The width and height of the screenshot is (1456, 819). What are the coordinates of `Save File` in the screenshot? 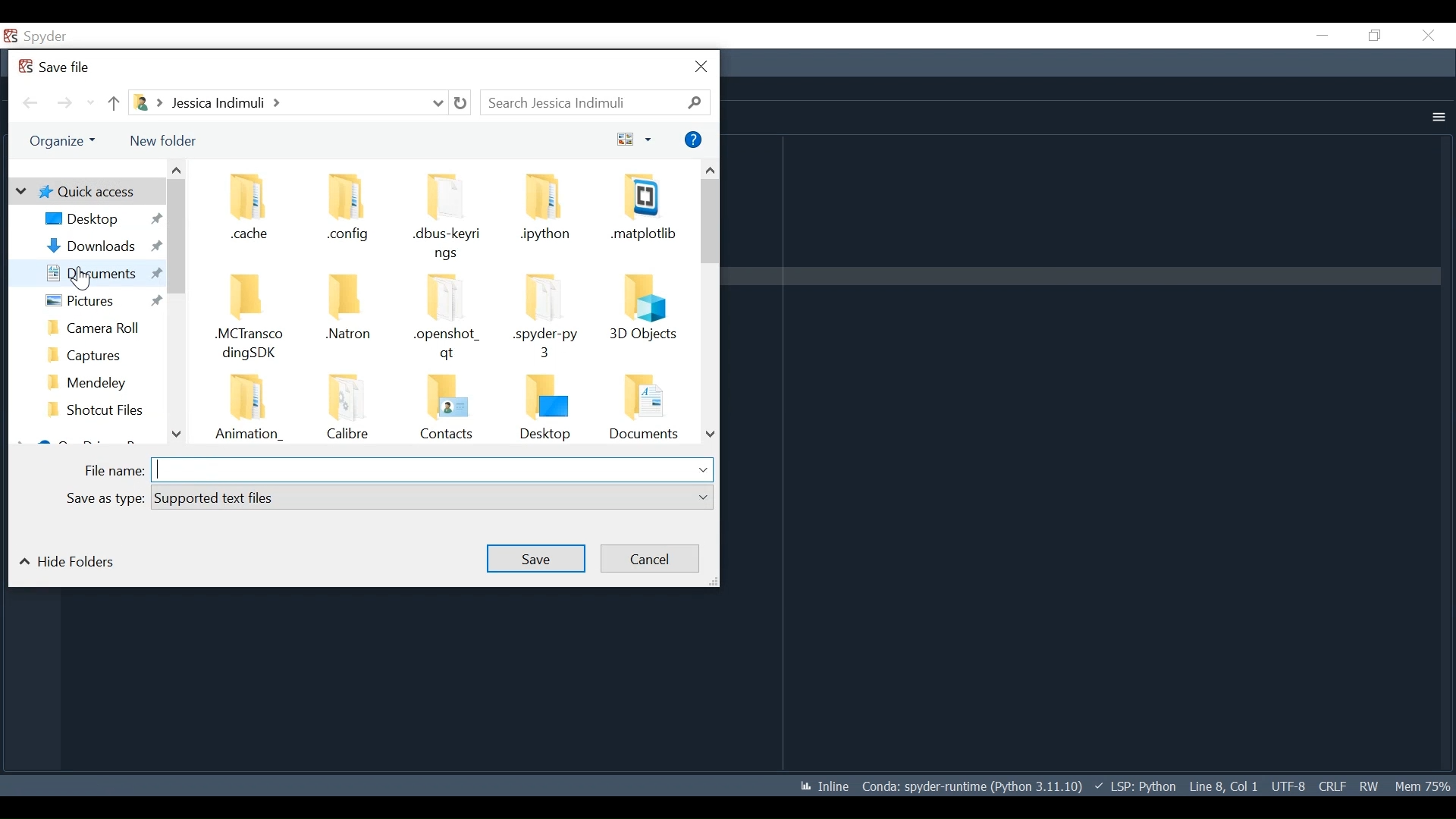 It's located at (57, 67).